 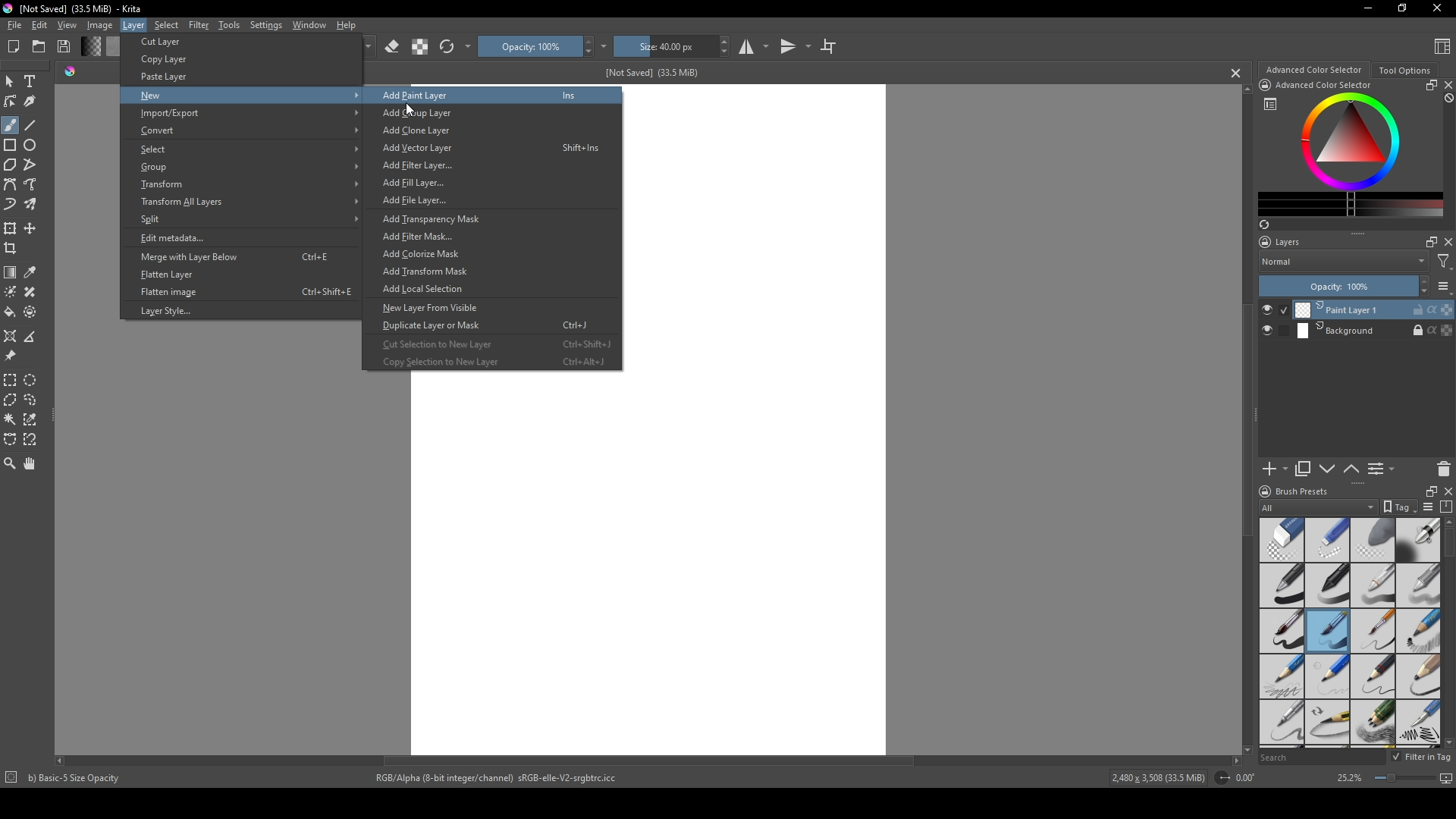 What do you see at coordinates (1447, 522) in the screenshot?
I see `scroll up` at bounding box center [1447, 522].